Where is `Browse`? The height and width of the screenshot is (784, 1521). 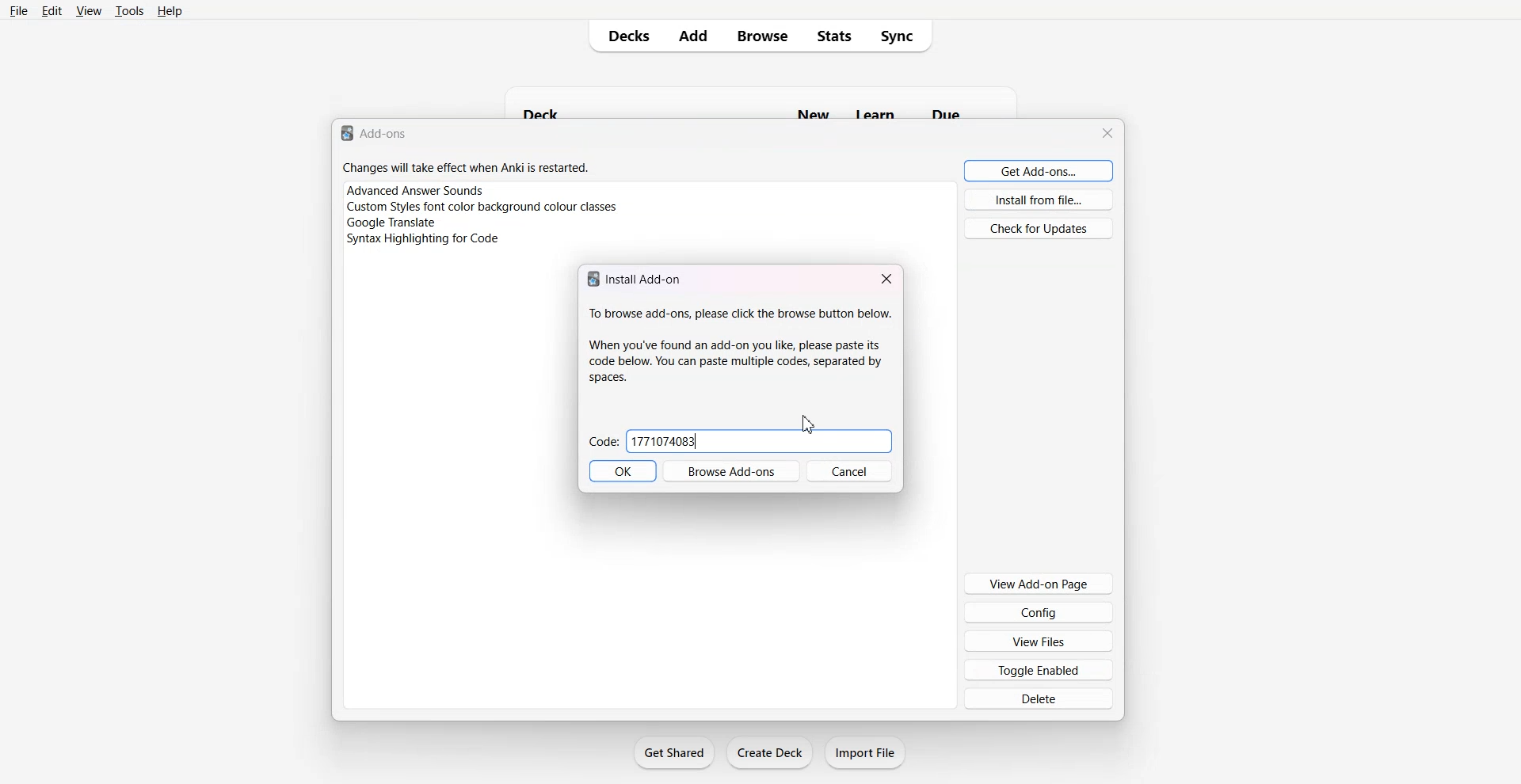 Browse is located at coordinates (763, 36).